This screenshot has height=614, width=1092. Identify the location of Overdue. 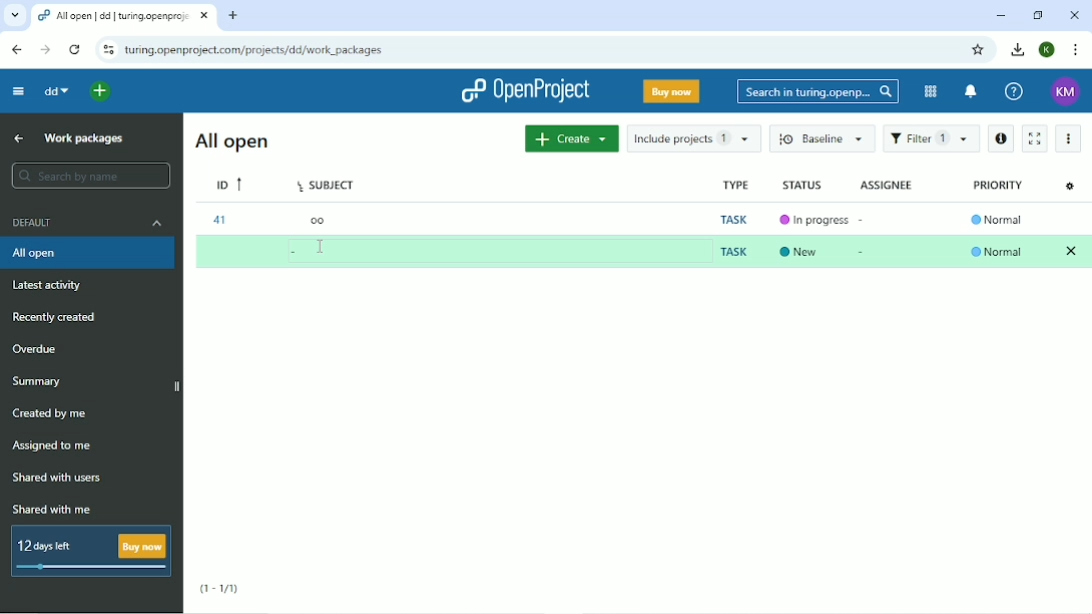
(34, 347).